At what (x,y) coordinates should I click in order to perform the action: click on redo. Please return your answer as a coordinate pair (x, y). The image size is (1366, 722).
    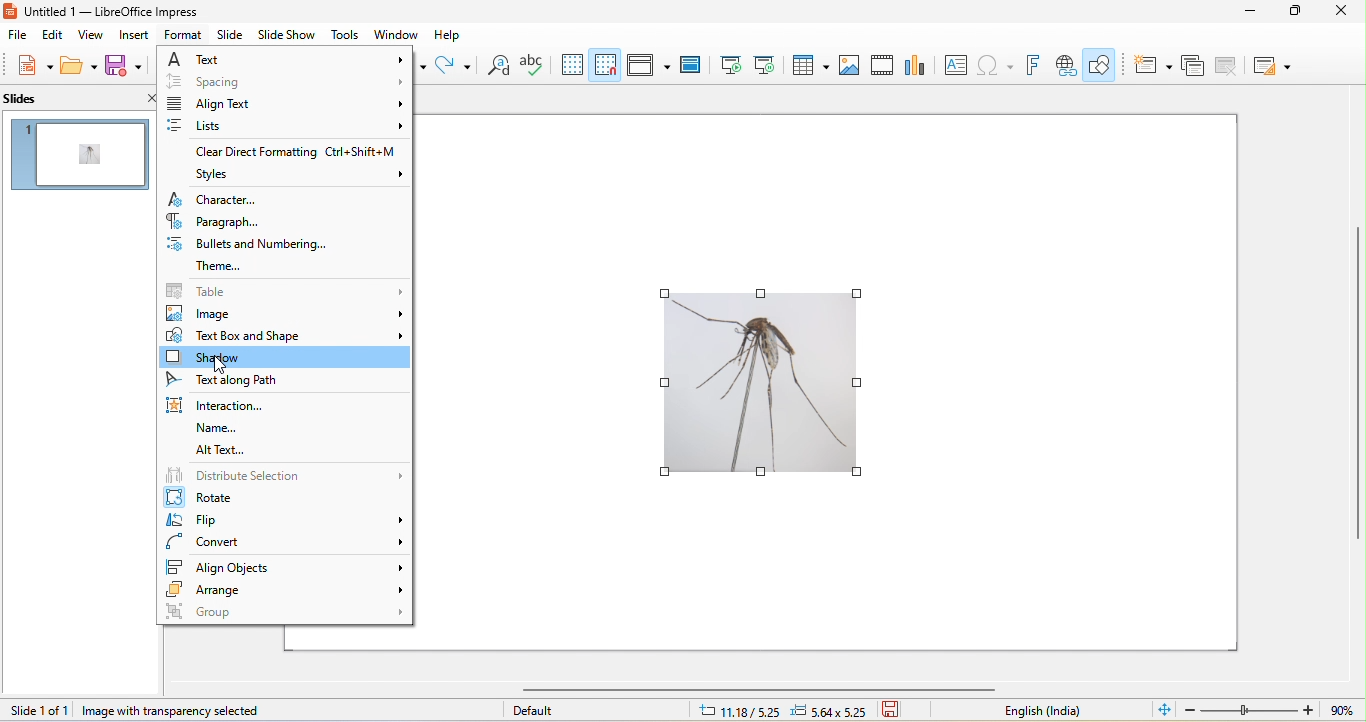
    Looking at the image, I should click on (454, 65).